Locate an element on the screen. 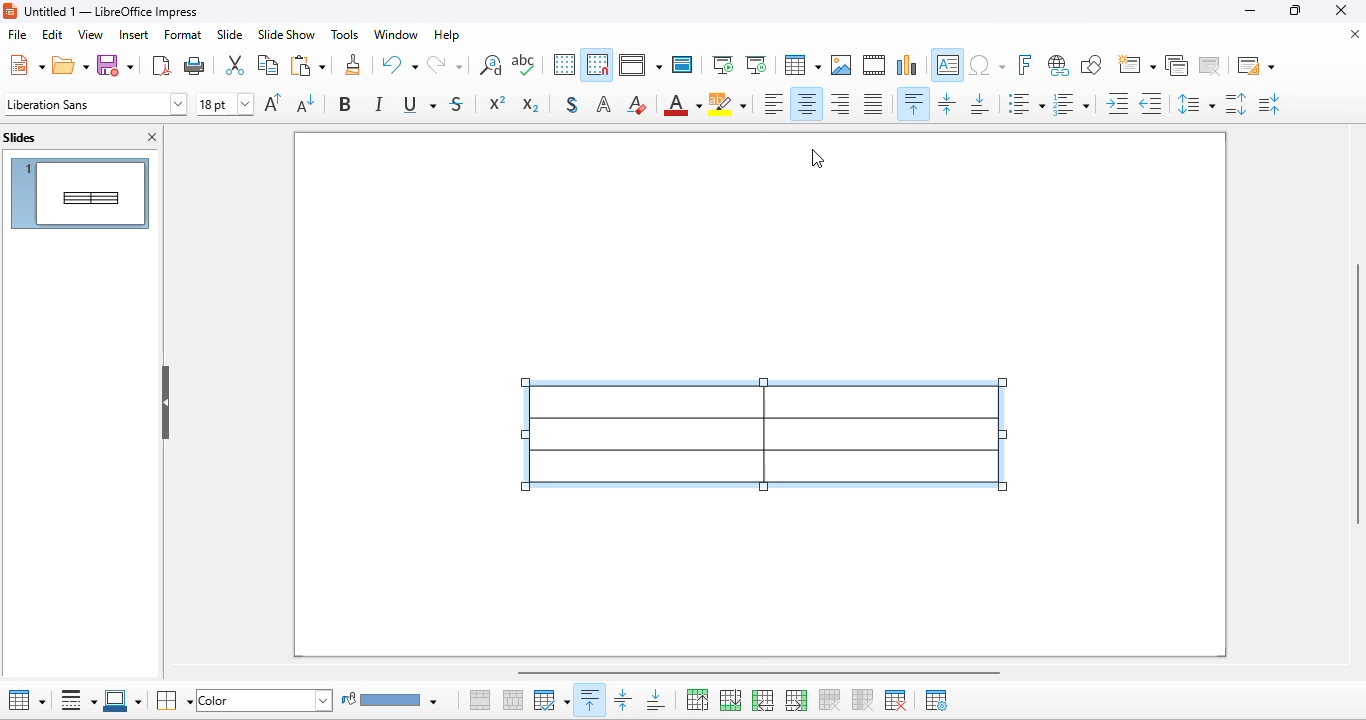  open is located at coordinates (70, 64).